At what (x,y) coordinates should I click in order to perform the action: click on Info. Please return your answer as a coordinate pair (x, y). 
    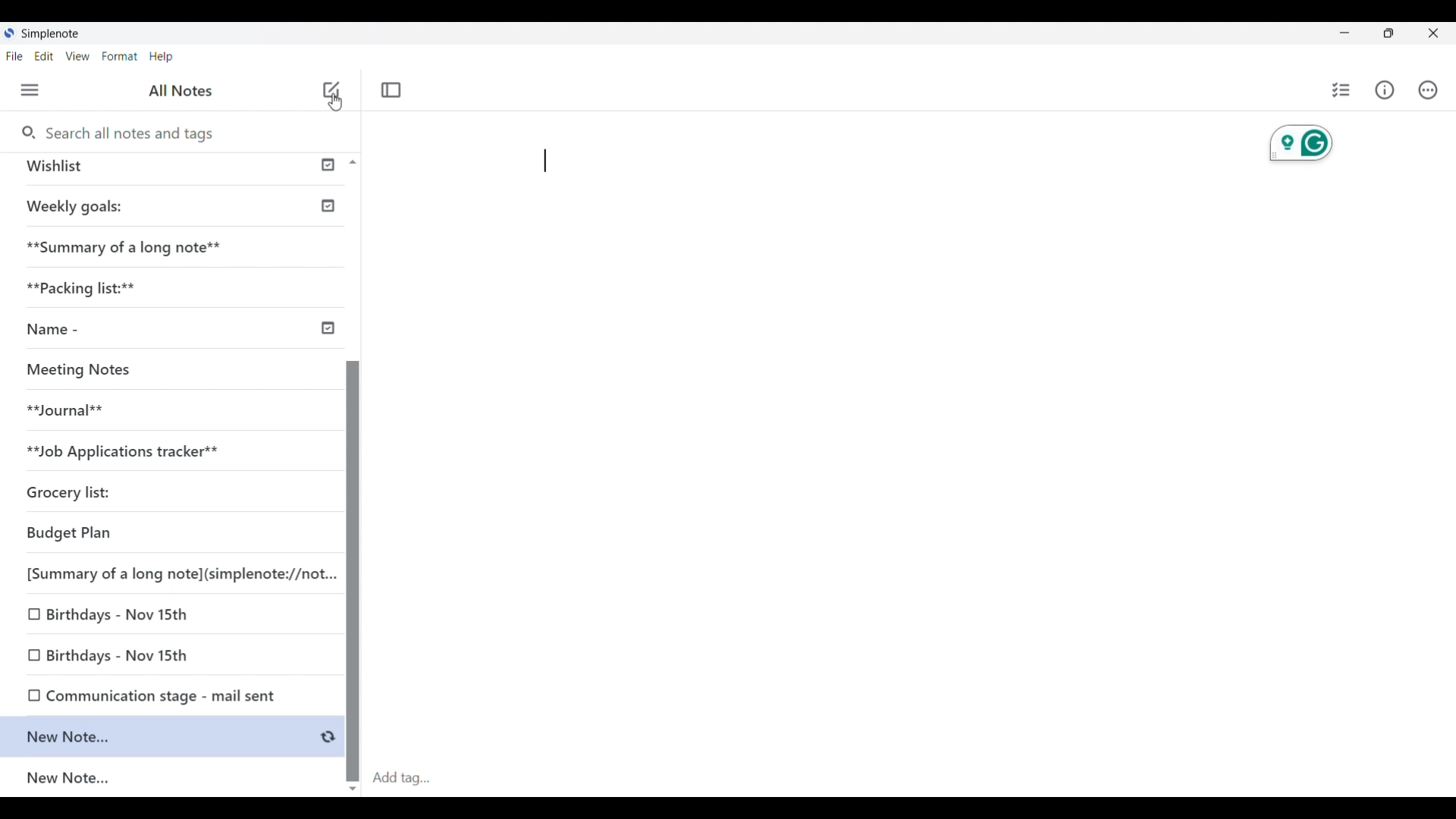
    Looking at the image, I should click on (1385, 90).